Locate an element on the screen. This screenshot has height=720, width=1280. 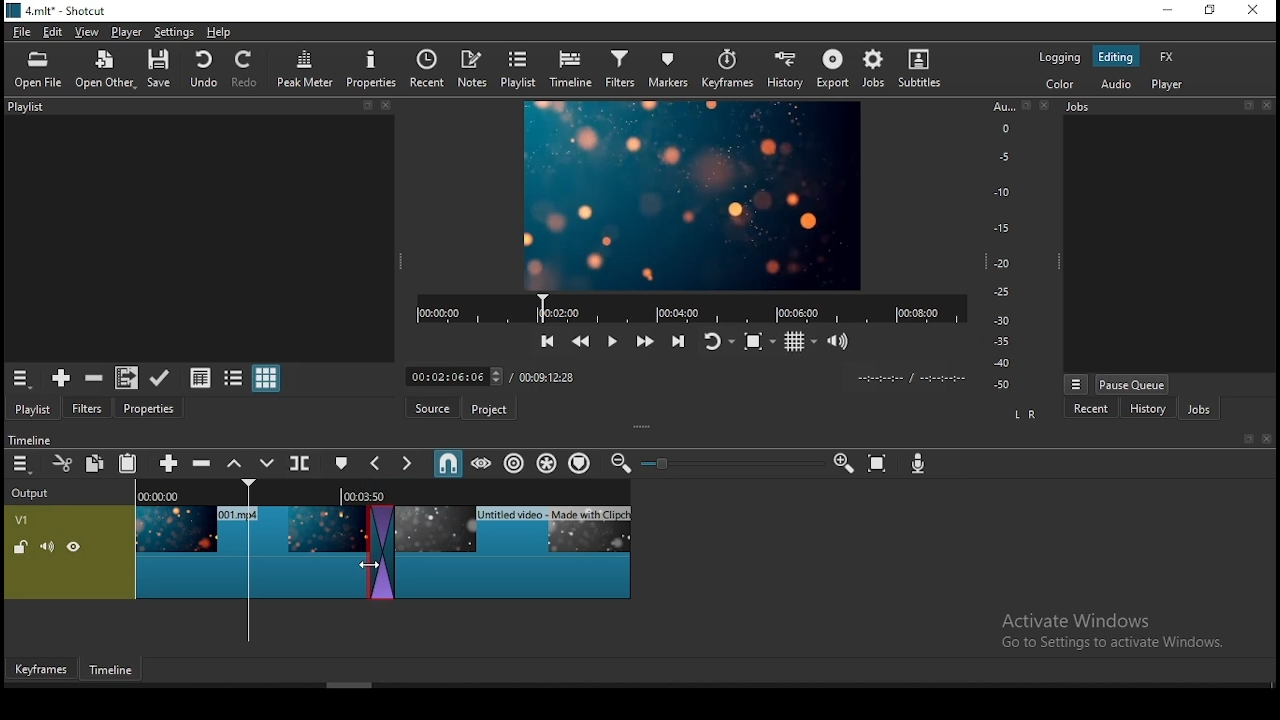
copy is located at coordinates (95, 464).